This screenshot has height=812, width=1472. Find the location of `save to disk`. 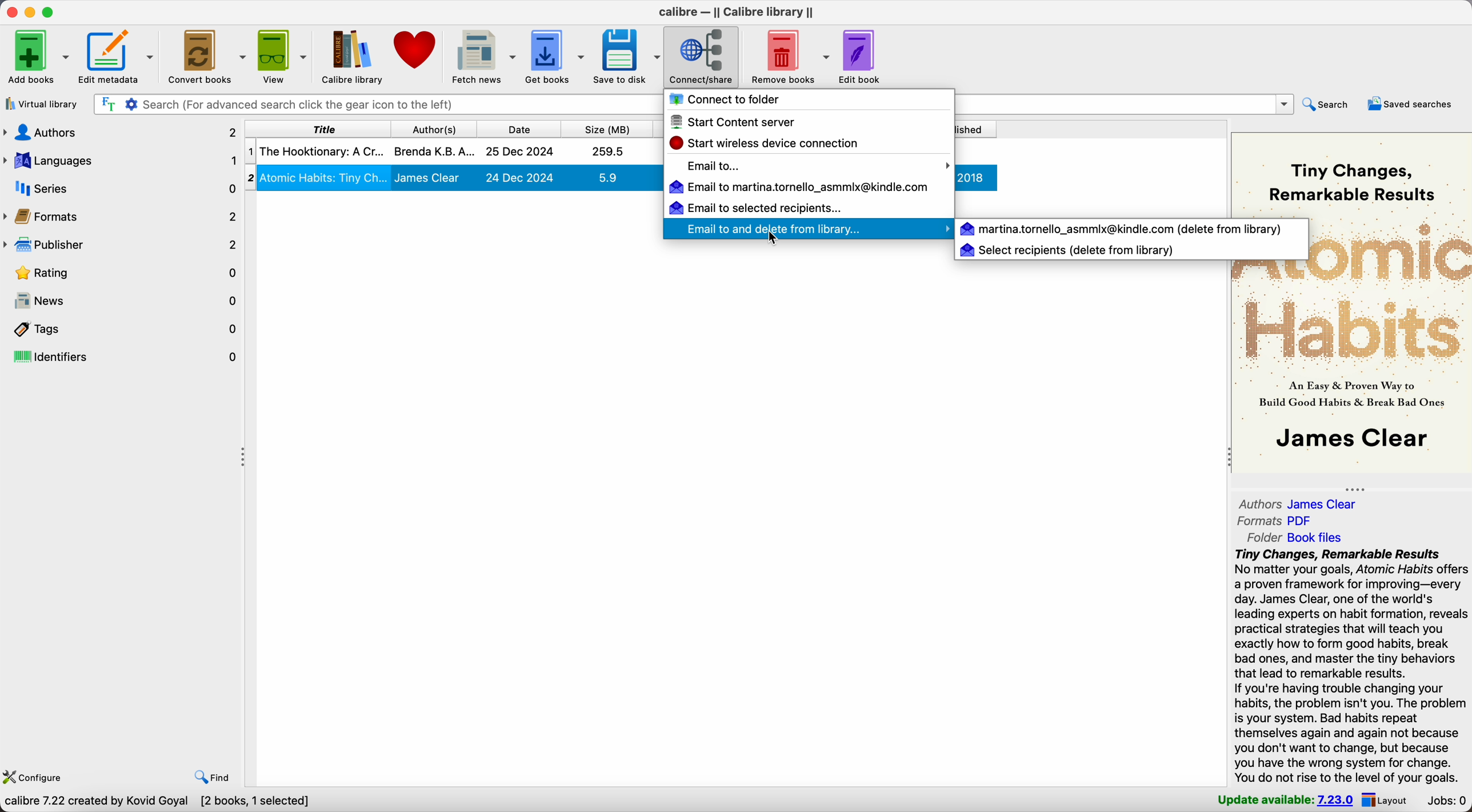

save to disk is located at coordinates (627, 58).